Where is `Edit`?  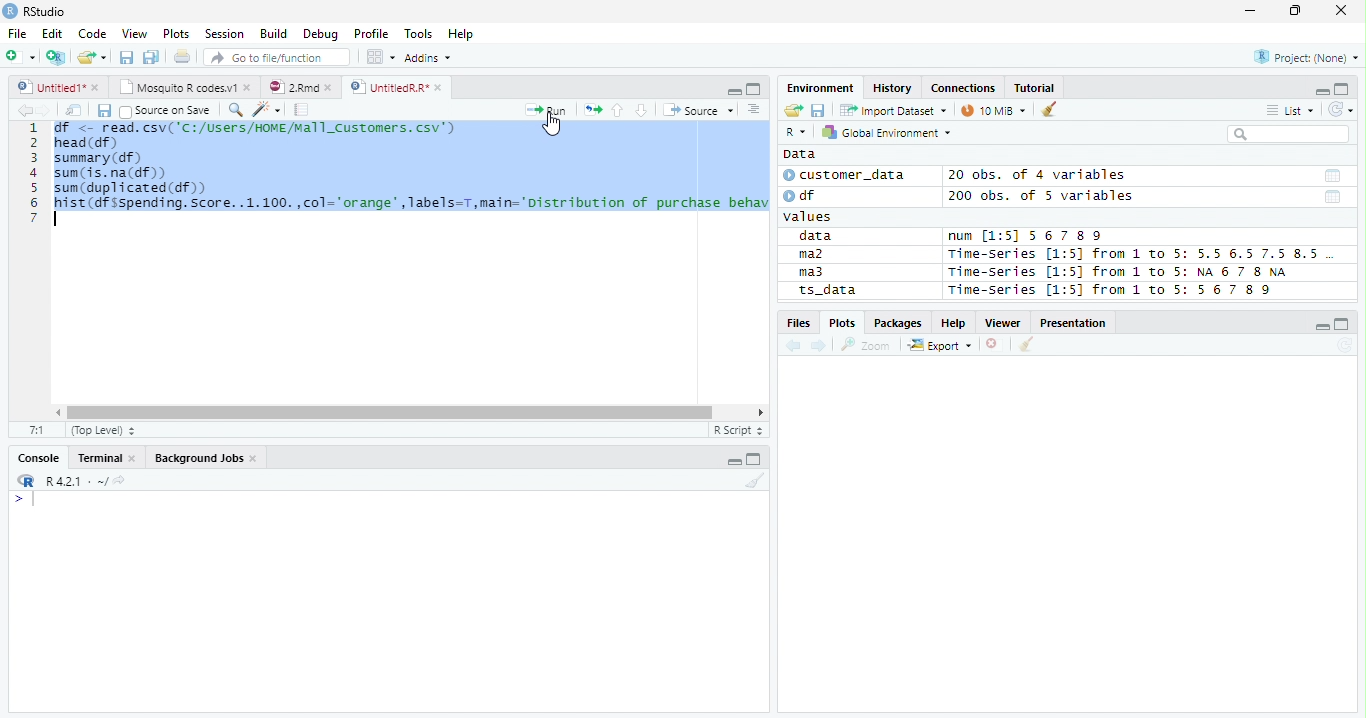
Edit is located at coordinates (51, 32).